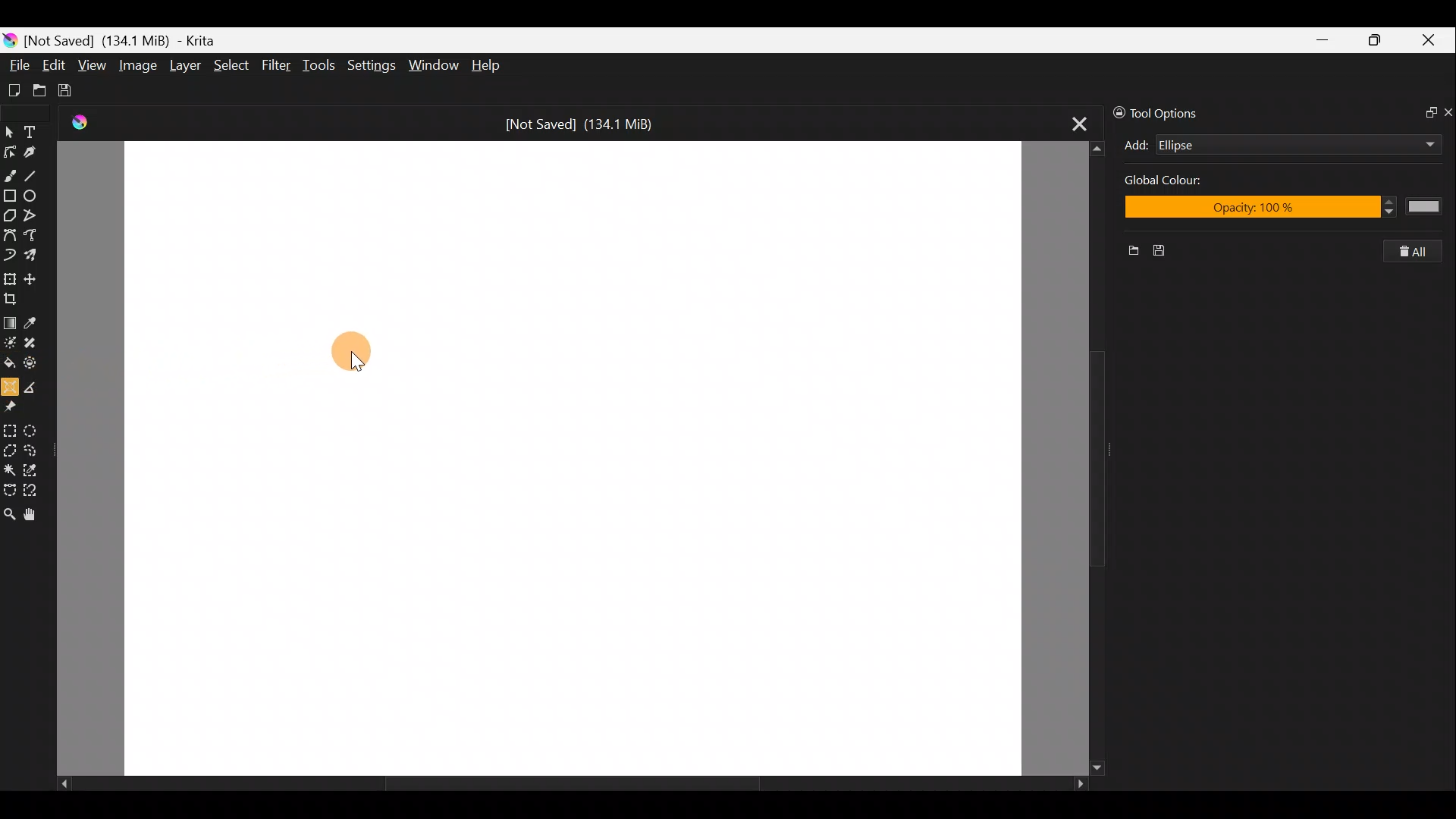 The height and width of the screenshot is (819, 1456). Describe the element at coordinates (1416, 142) in the screenshot. I see `Add drop down` at that location.